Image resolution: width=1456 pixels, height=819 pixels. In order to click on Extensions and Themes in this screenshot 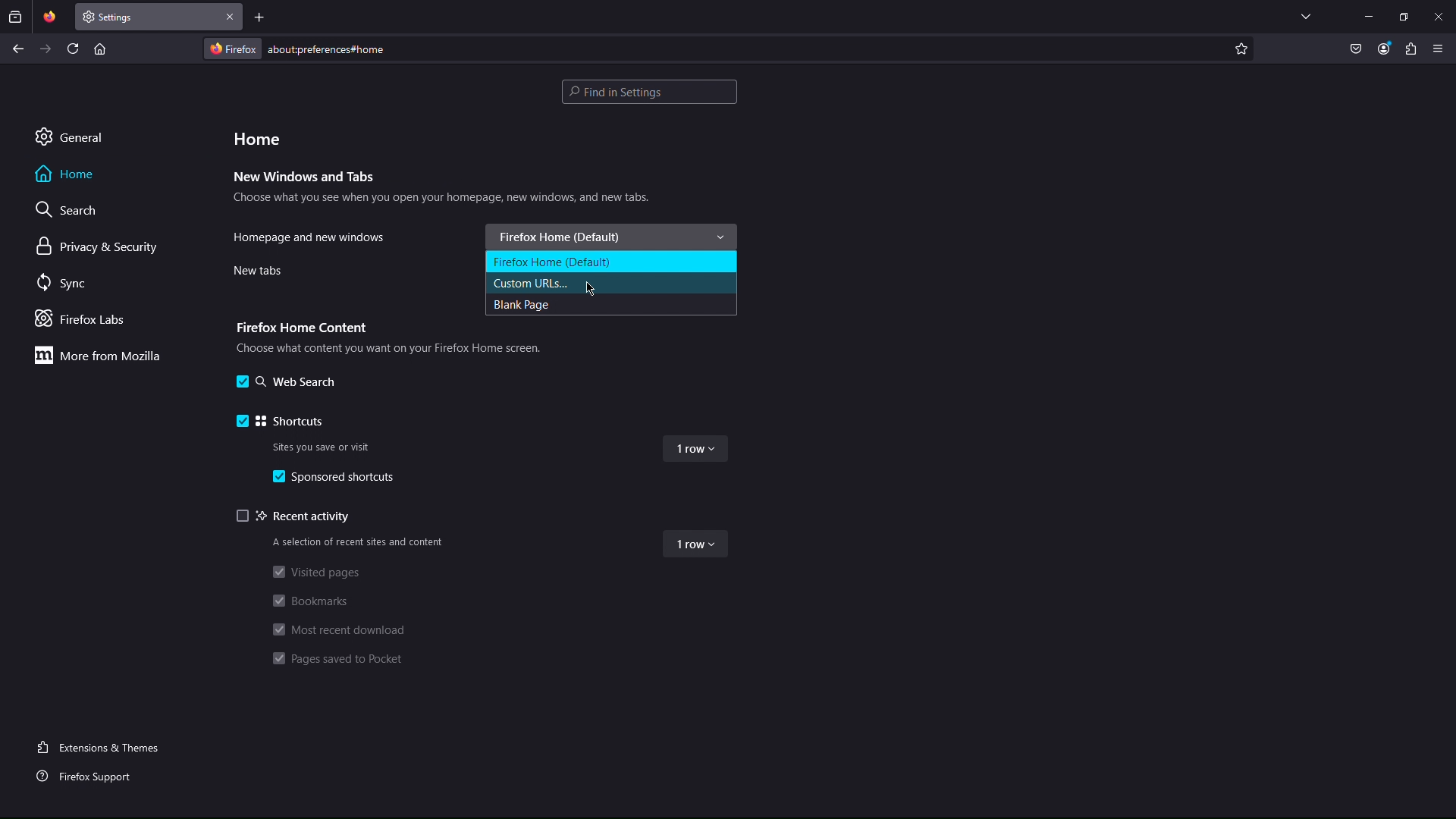, I will do `click(104, 746)`.